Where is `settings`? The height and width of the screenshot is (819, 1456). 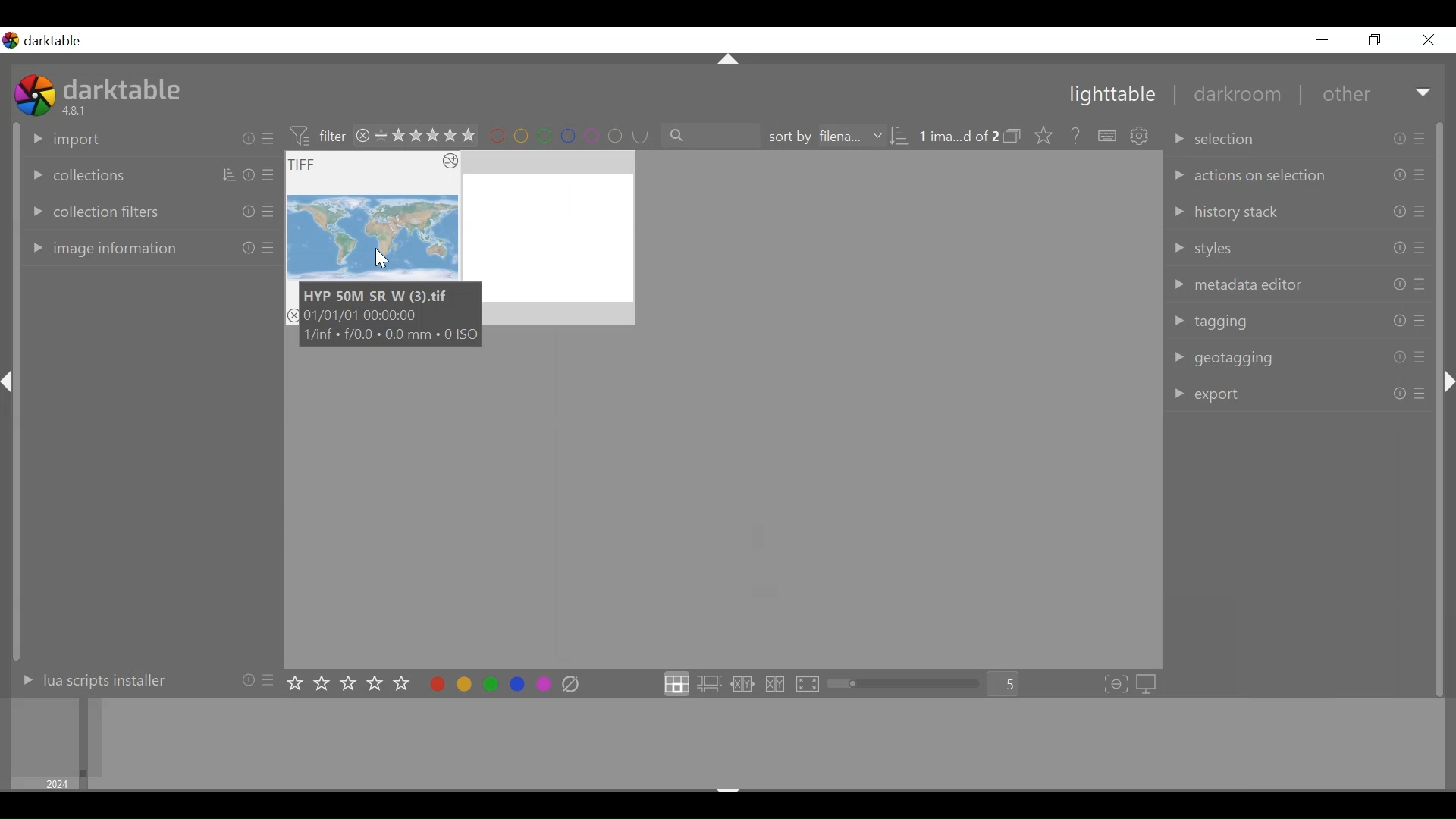
settings is located at coordinates (1141, 136).